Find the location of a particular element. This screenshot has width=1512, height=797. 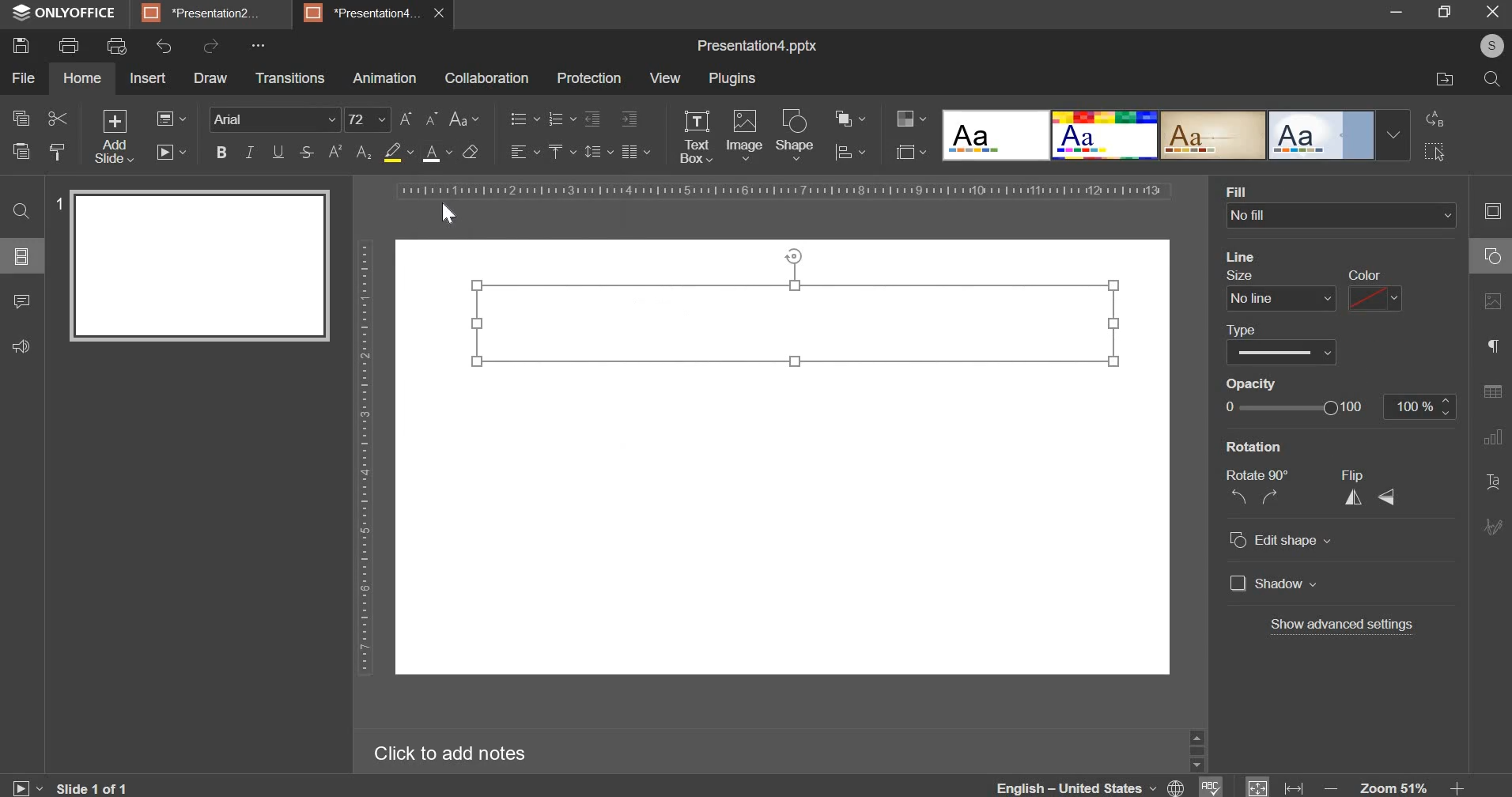

edit shape is located at coordinates (1280, 541).